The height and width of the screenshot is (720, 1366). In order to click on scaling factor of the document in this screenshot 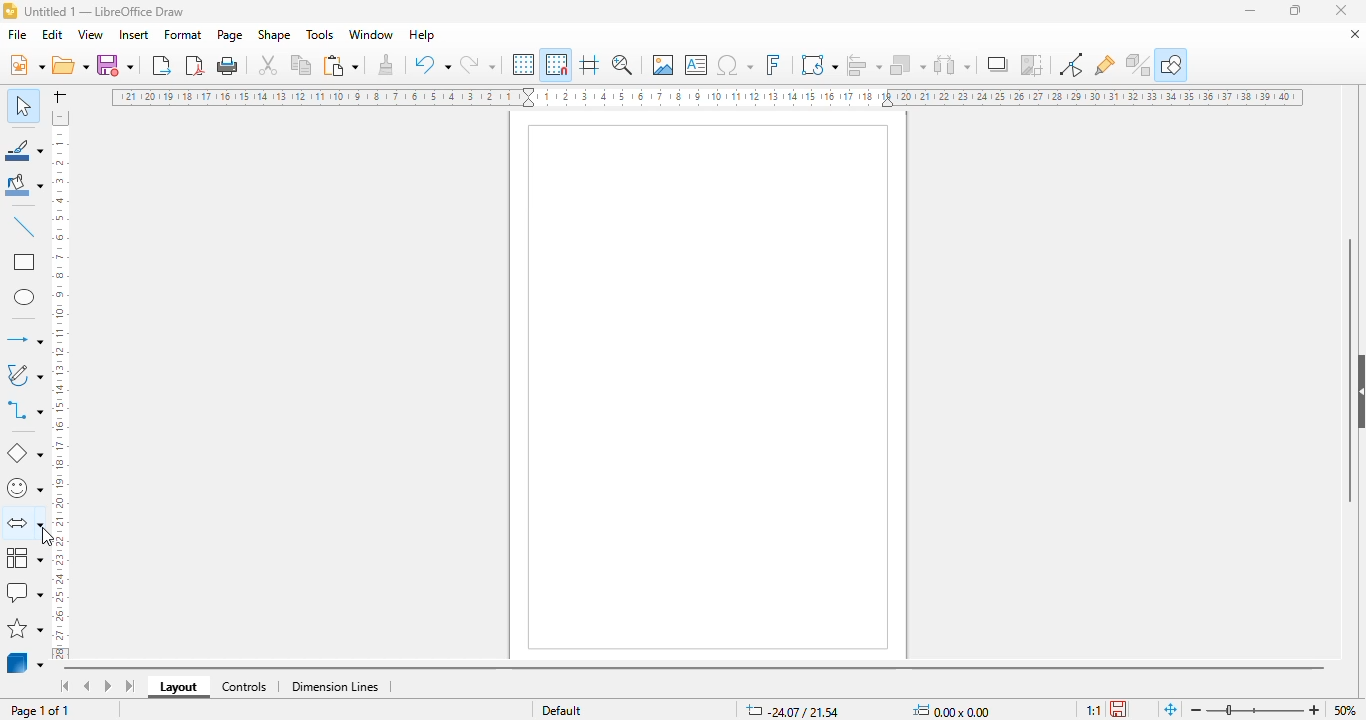, I will do `click(1093, 710)`.